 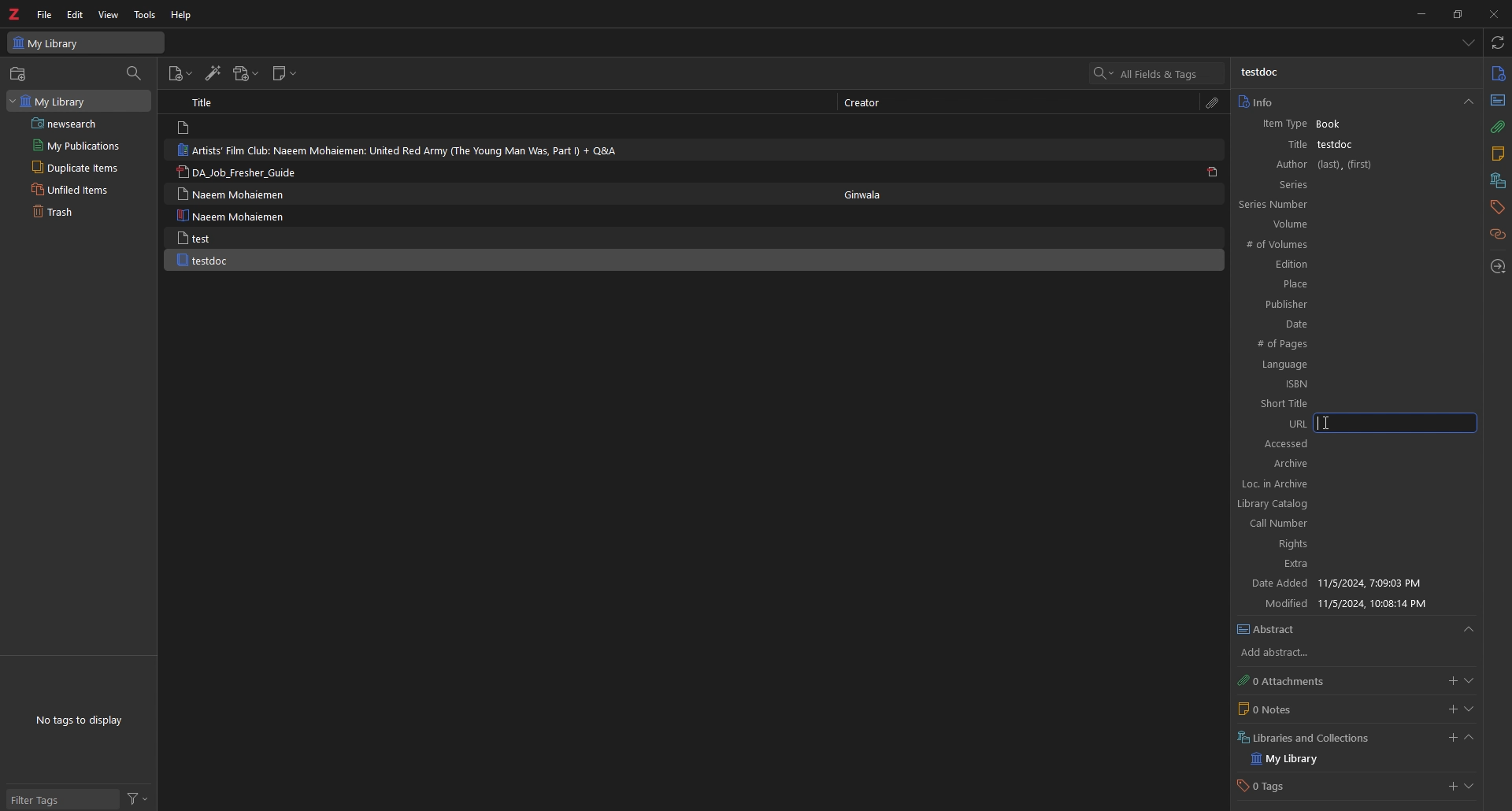 What do you see at coordinates (1279, 709) in the screenshot?
I see `0 Notes` at bounding box center [1279, 709].